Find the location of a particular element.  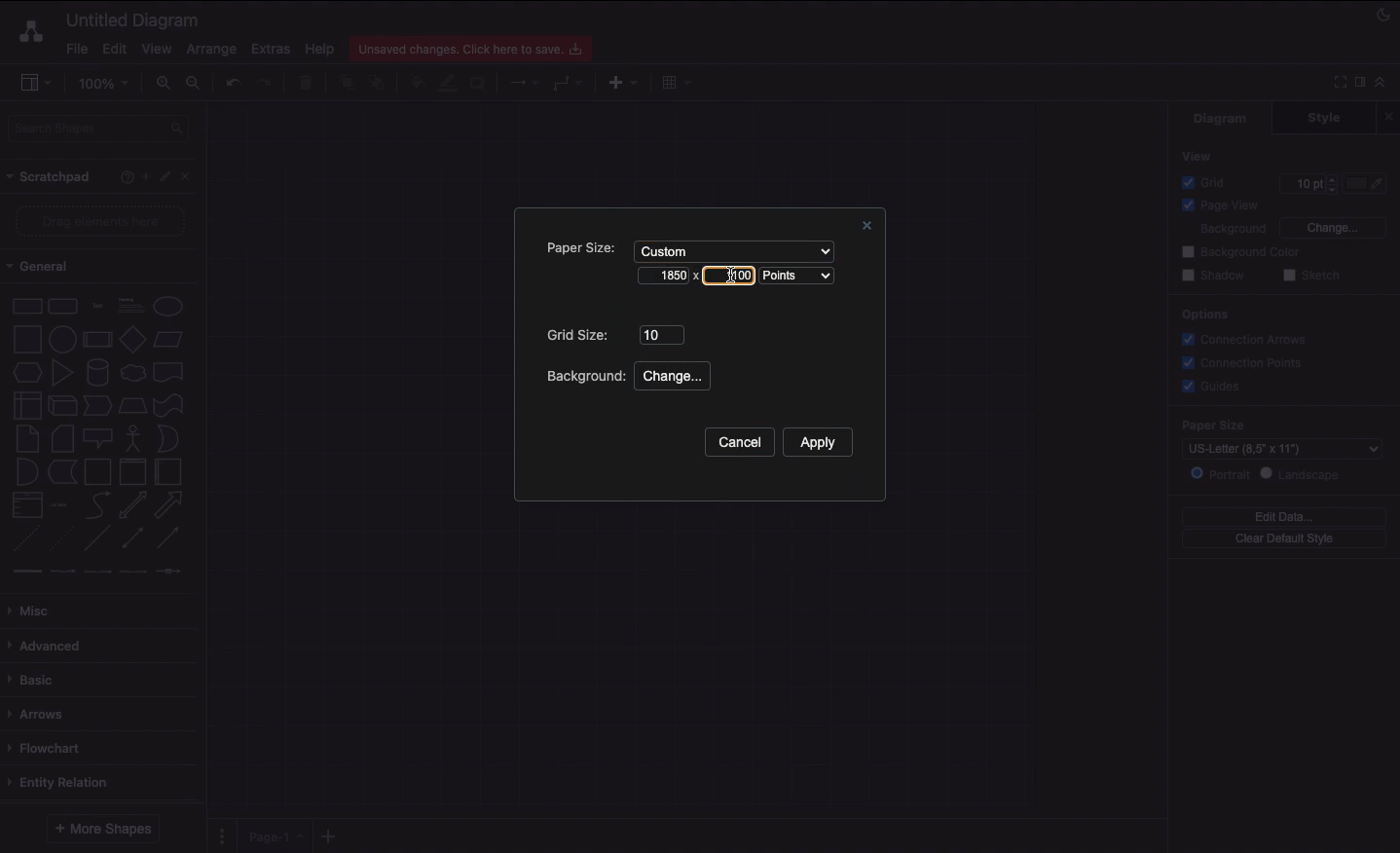

To front is located at coordinates (346, 83).